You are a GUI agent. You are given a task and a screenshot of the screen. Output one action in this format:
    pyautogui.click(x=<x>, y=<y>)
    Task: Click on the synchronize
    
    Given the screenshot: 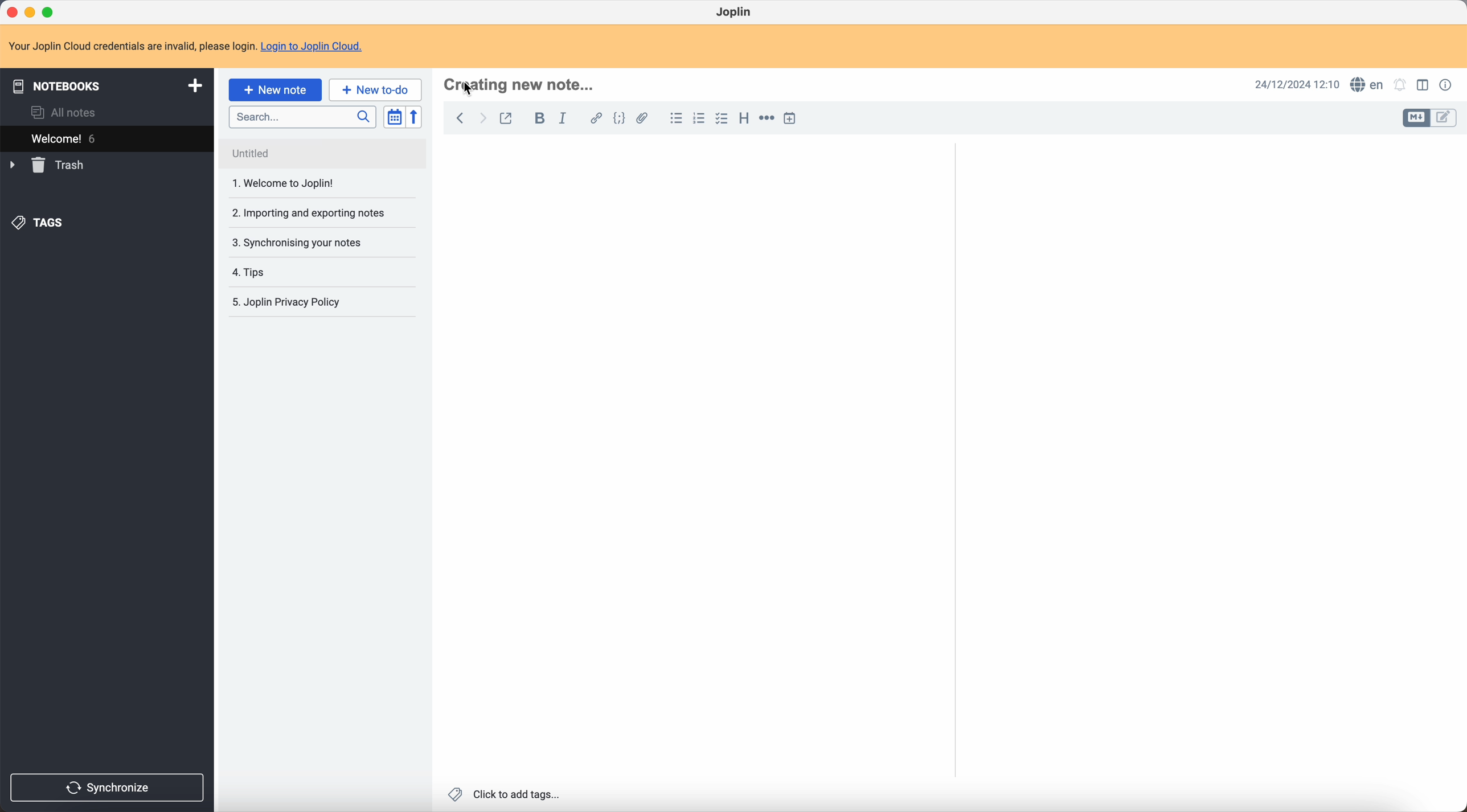 What is the action you would take?
    pyautogui.click(x=108, y=788)
    